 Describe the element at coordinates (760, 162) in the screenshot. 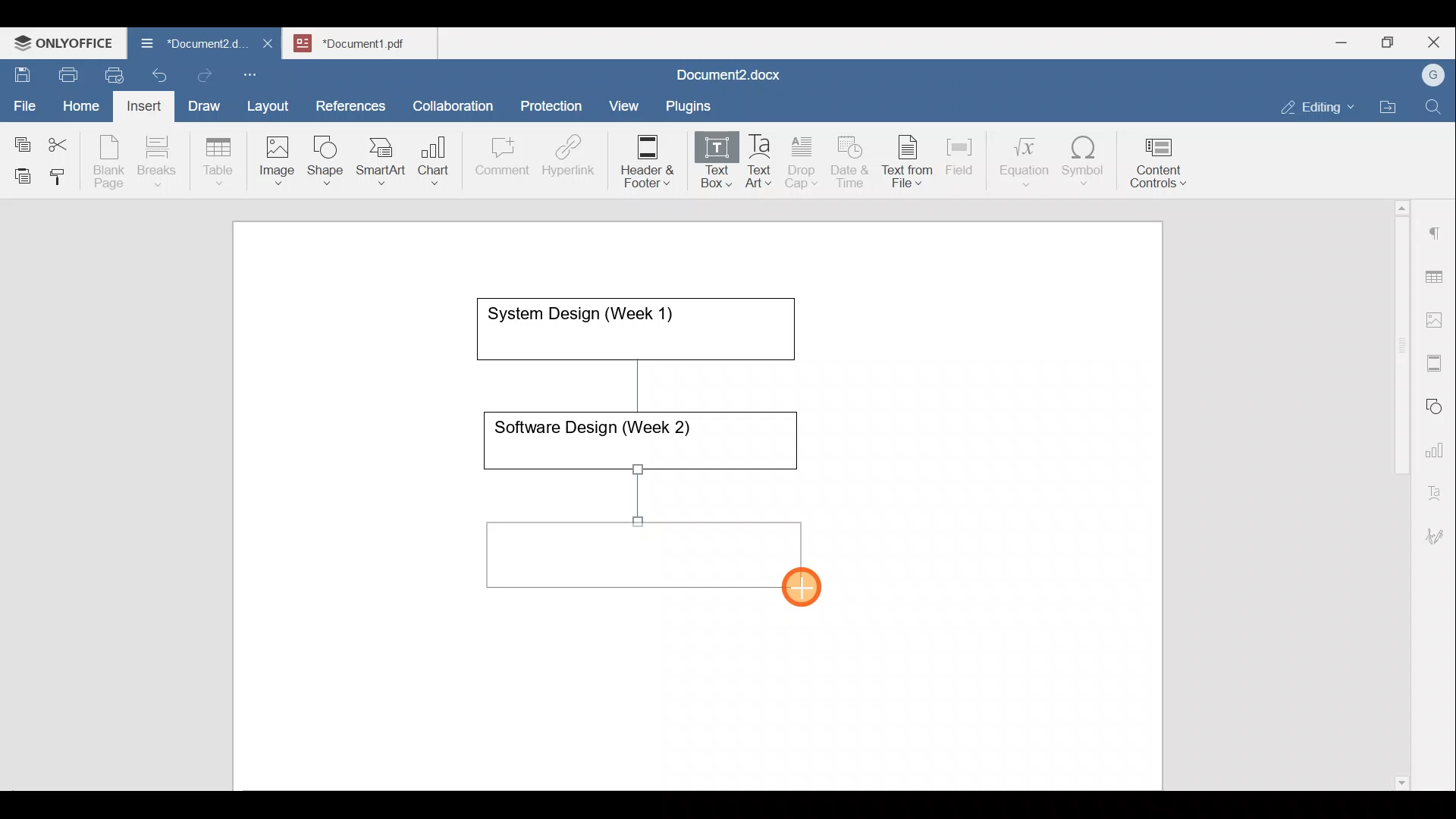

I see `Text Art` at that location.